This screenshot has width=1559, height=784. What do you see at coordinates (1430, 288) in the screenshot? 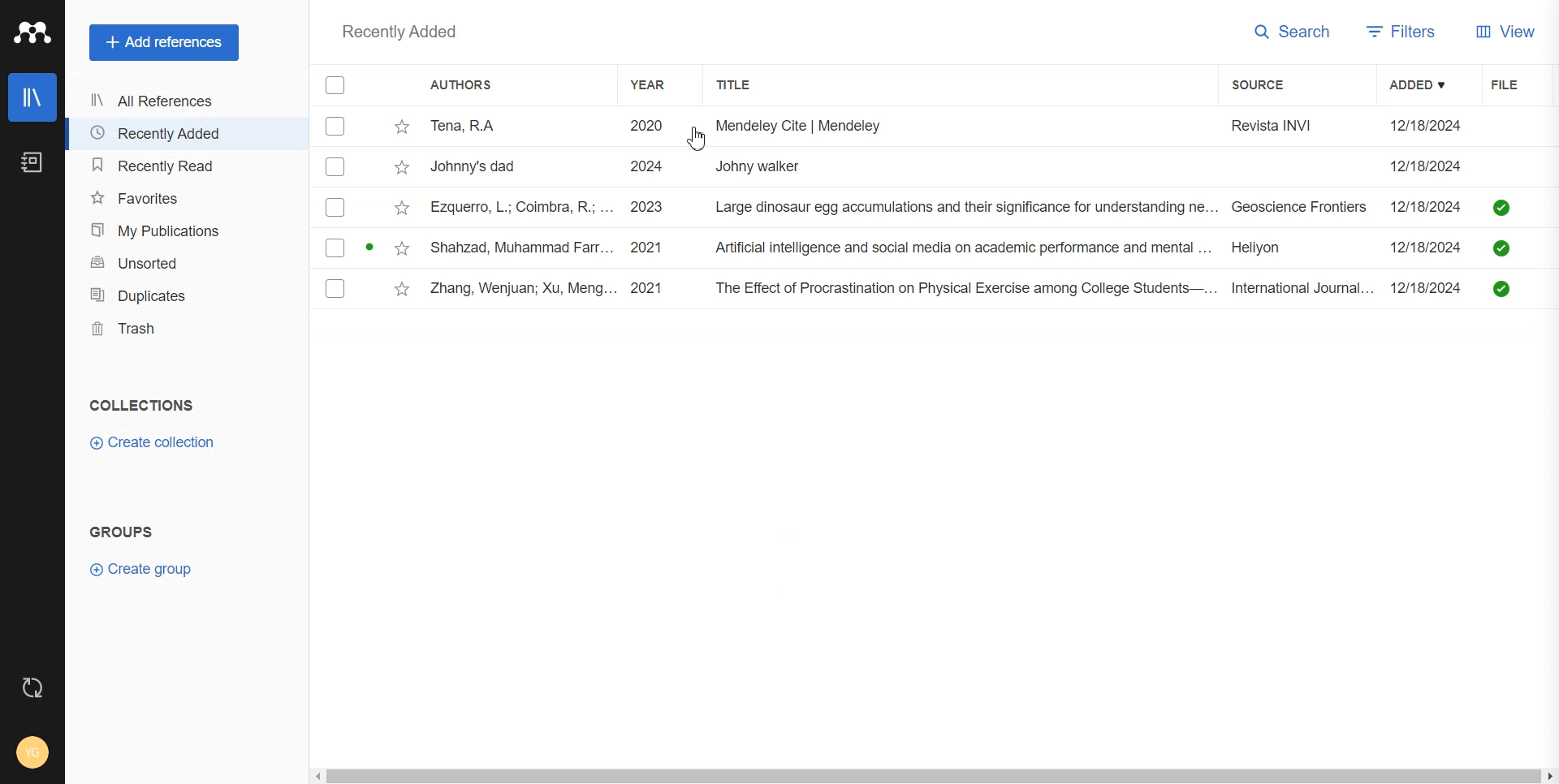
I see `12/18/2024` at bounding box center [1430, 288].